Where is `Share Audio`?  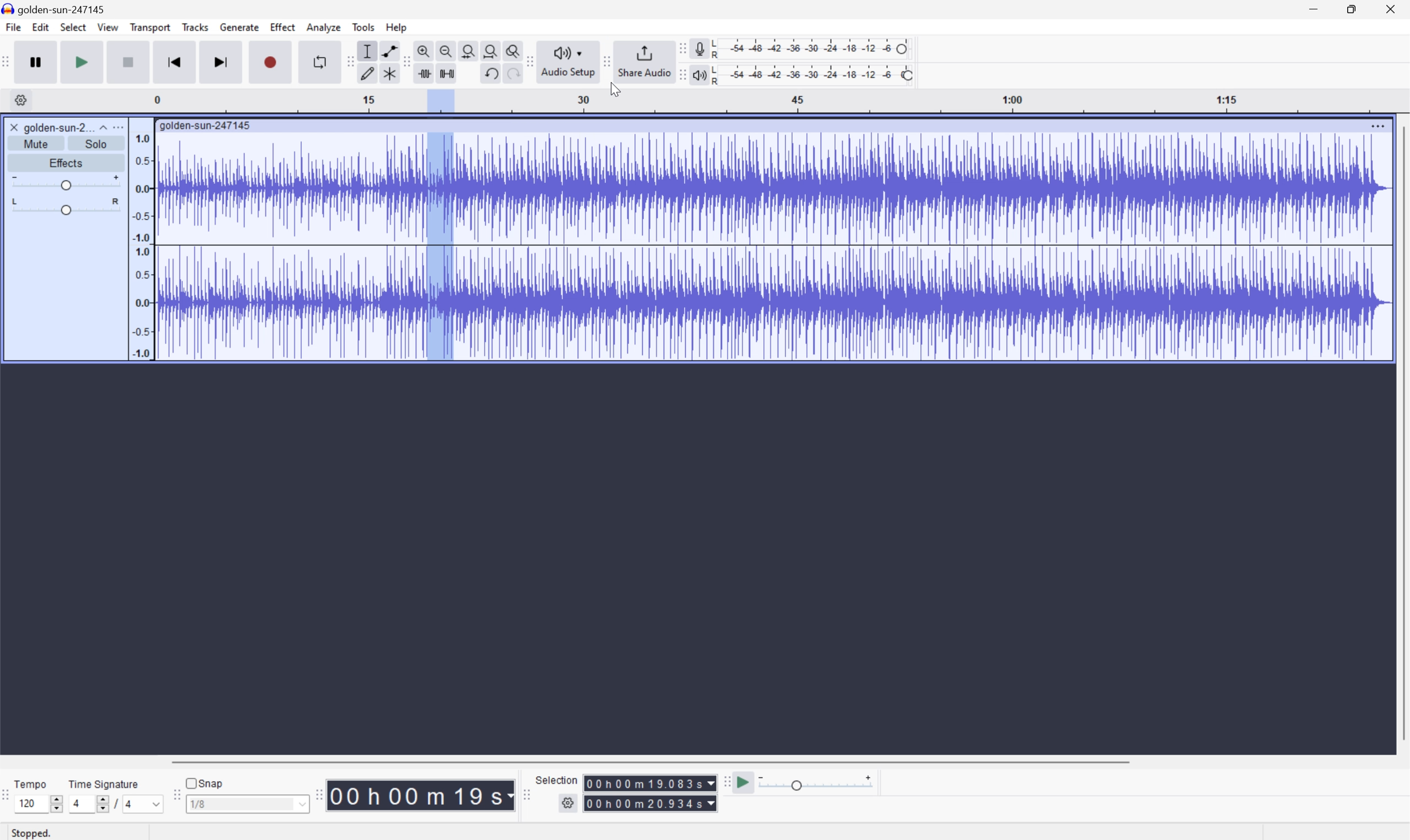 Share Audio is located at coordinates (642, 61).